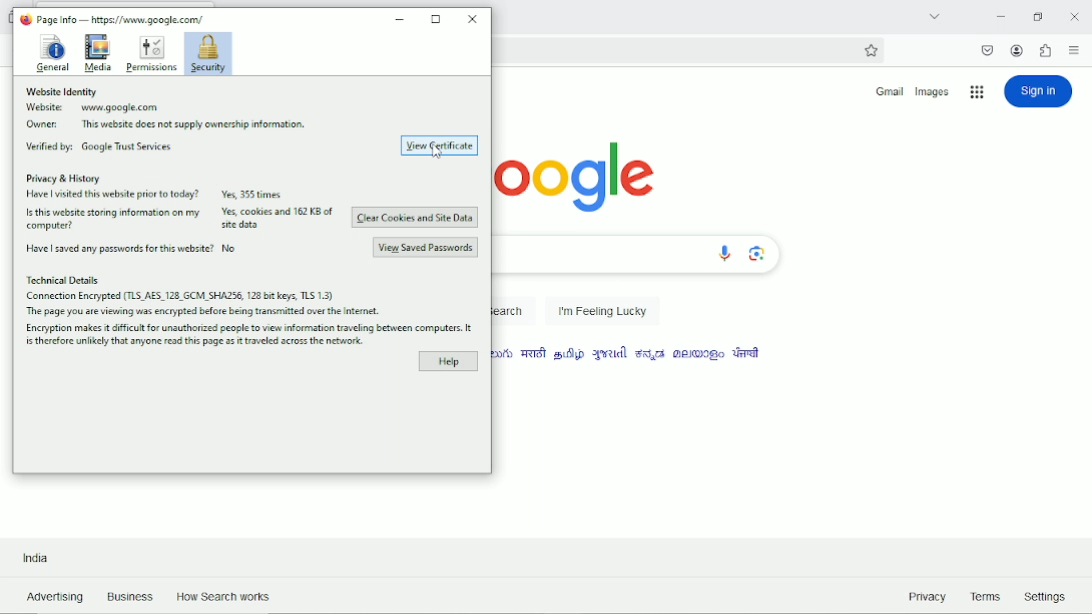  I want to click on Clear cookies and site data, so click(414, 217).